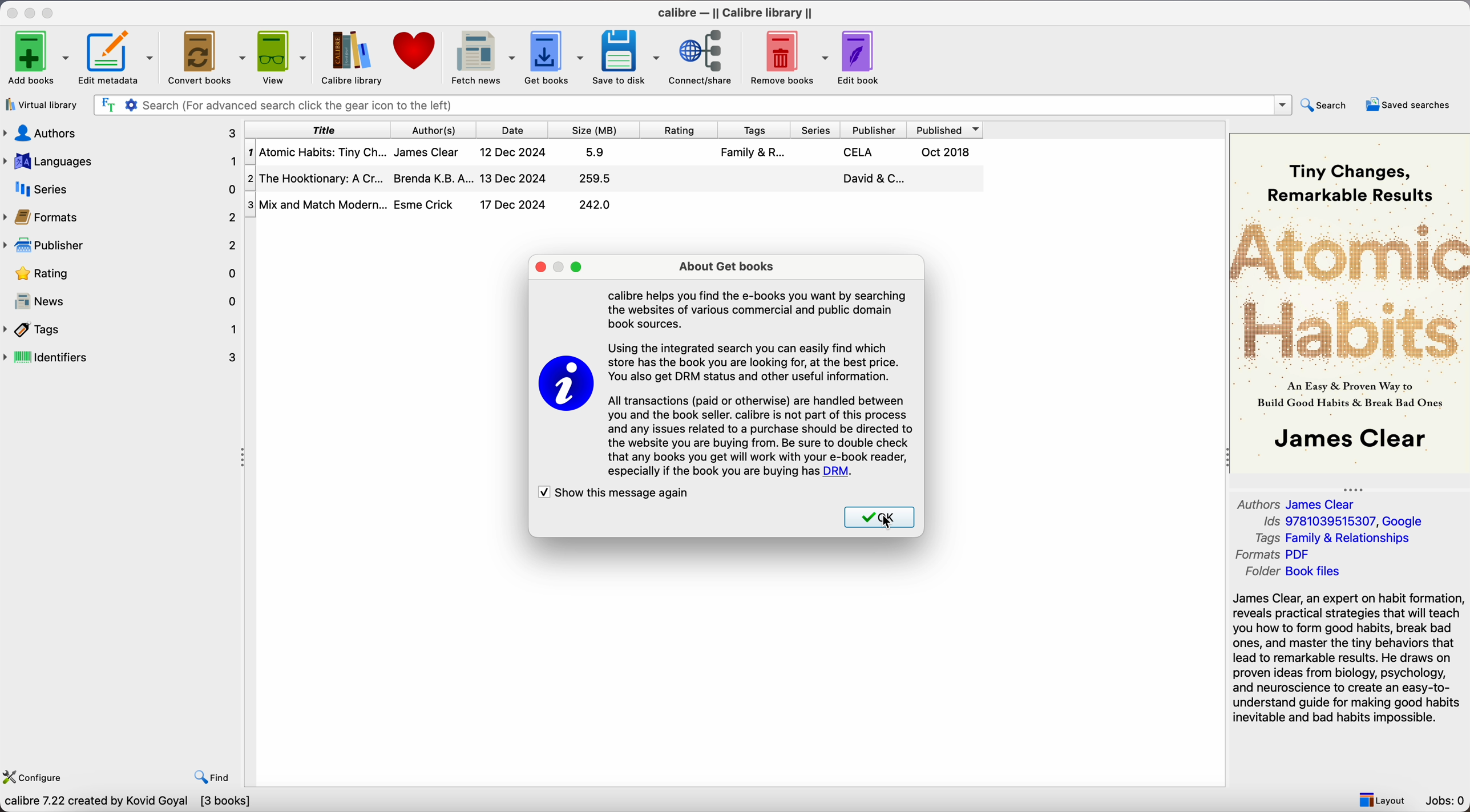 The width and height of the screenshot is (1470, 812). Describe the element at coordinates (513, 178) in the screenshot. I see `13 Dec 2024` at that location.